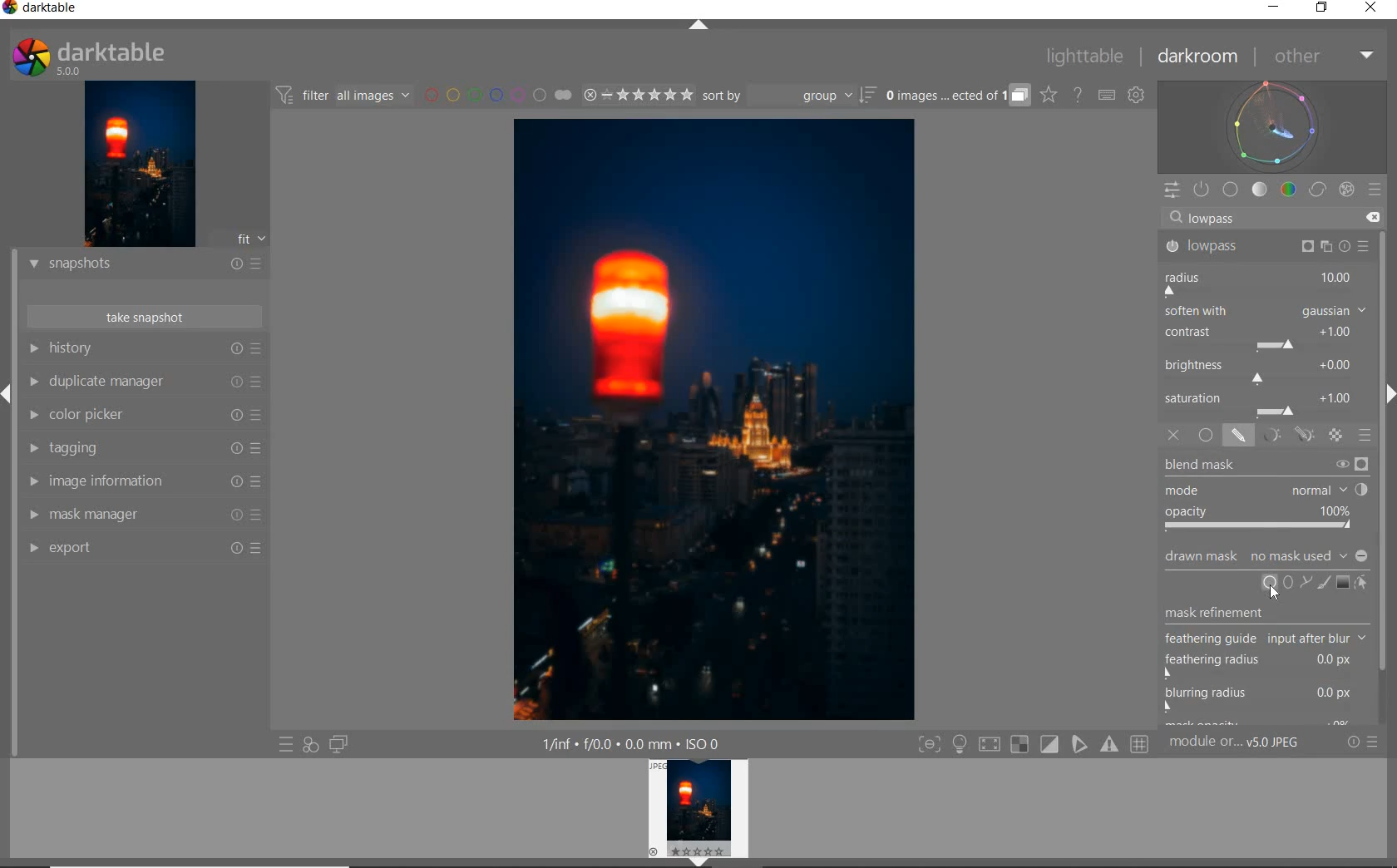 This screenshot has height=868, width=1397. I want to click on TAKE SNAPSHOT, so click(143, 318).